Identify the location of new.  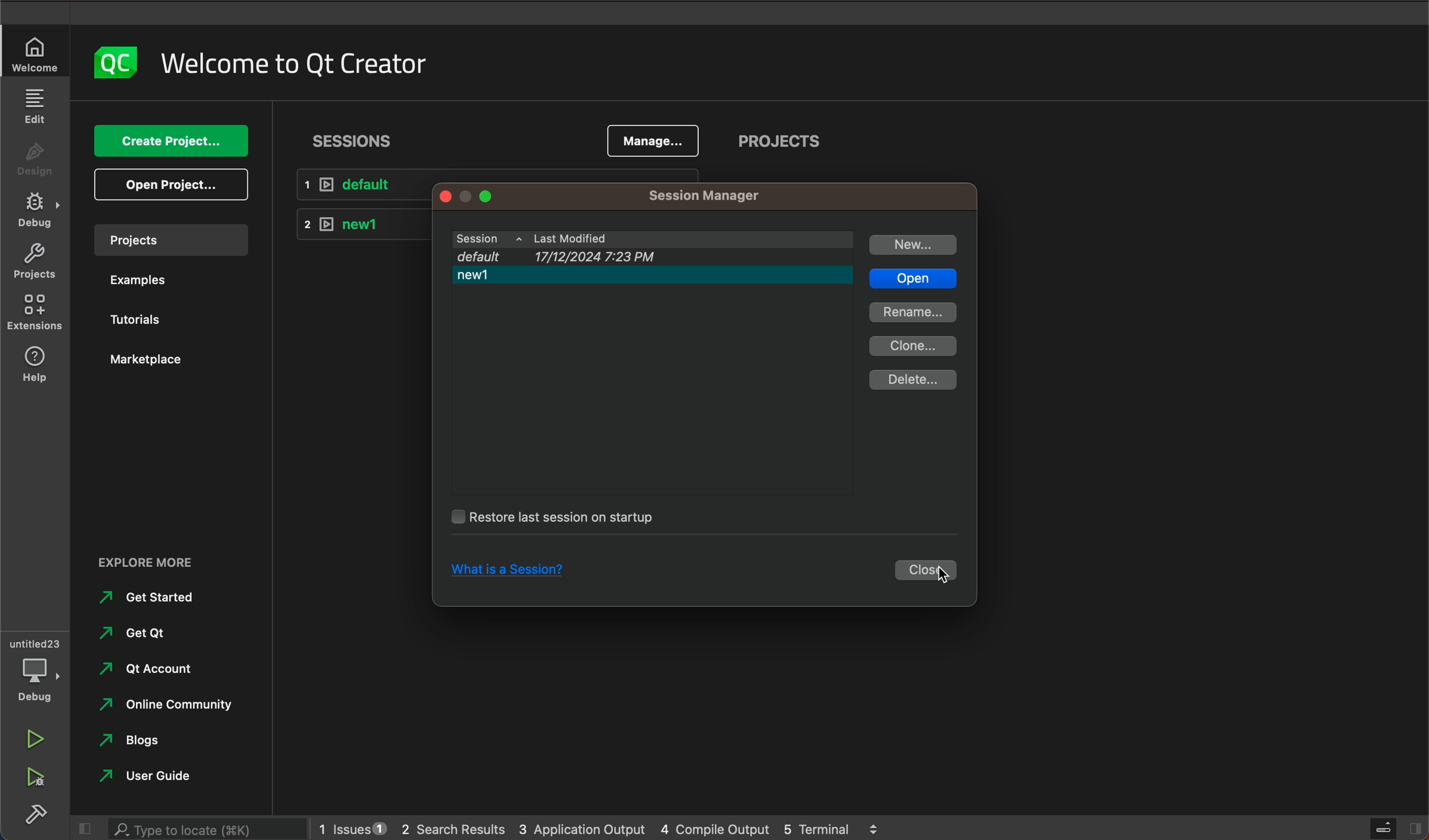
(914, 245).